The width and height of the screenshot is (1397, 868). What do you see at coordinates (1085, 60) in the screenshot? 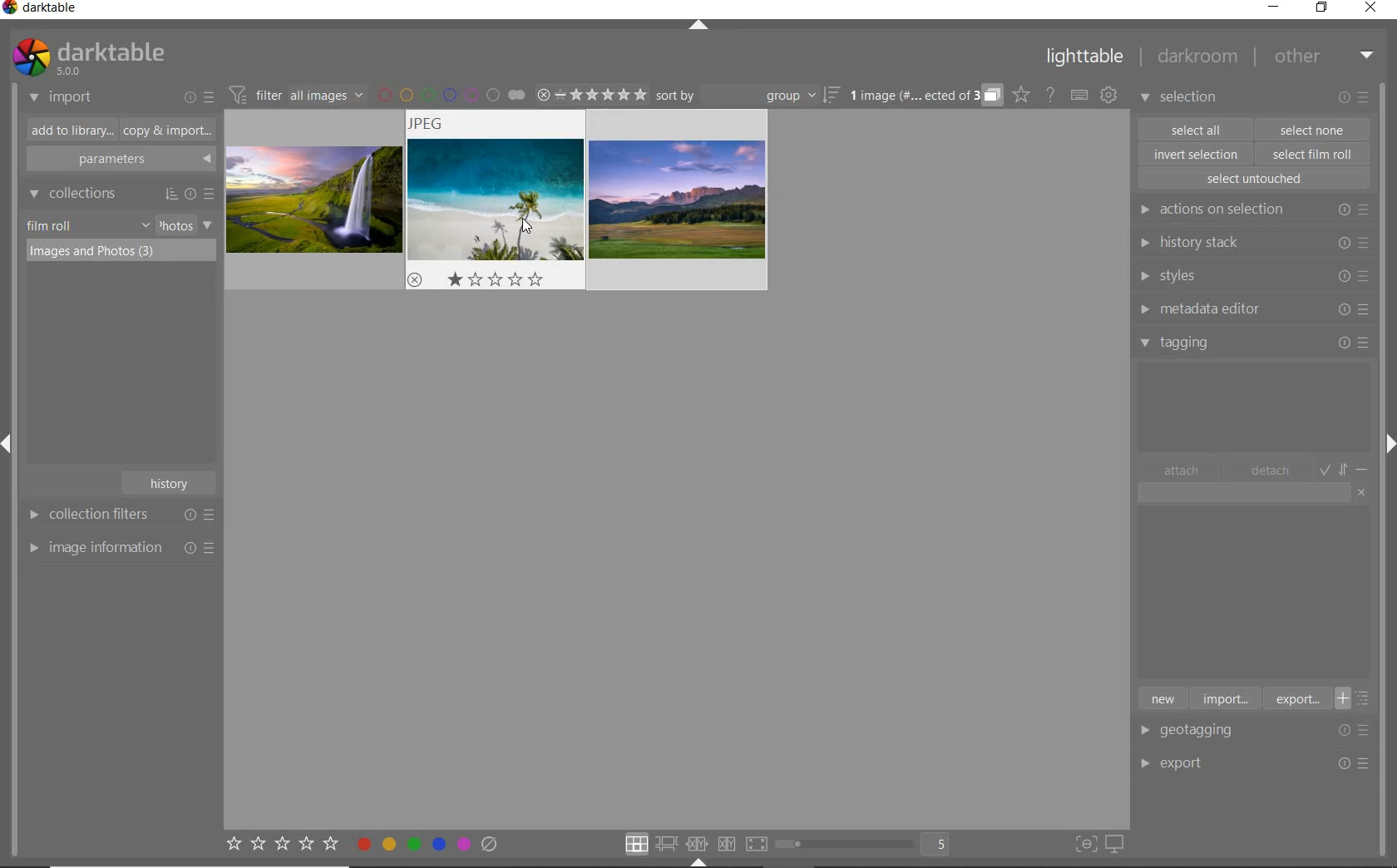
I see `lighttable` at bounding box center [1085, 60].